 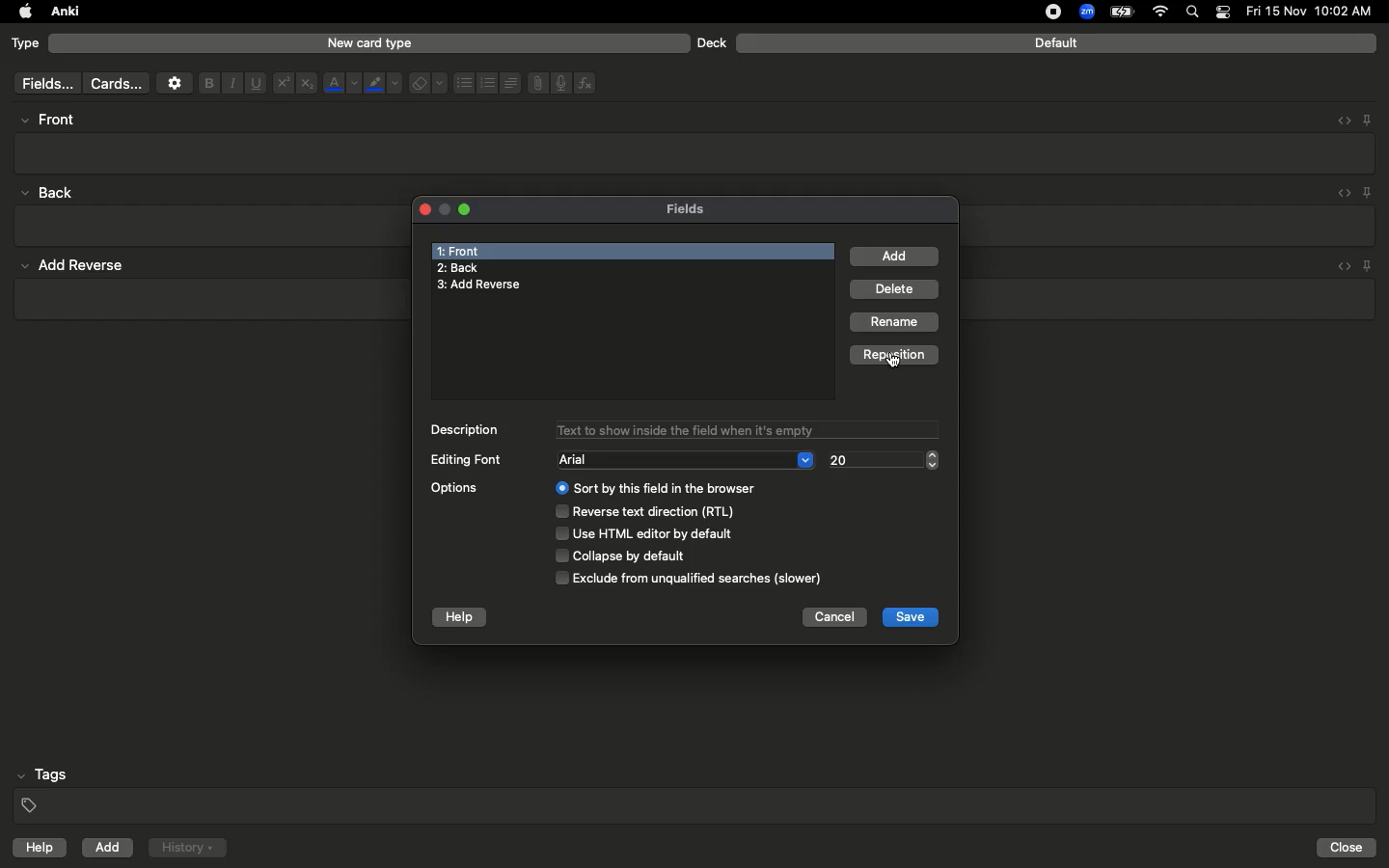 What do you see at coordinates (207, 82) in the screenshot?
I see `Bold` at bounding box center [207, 82].